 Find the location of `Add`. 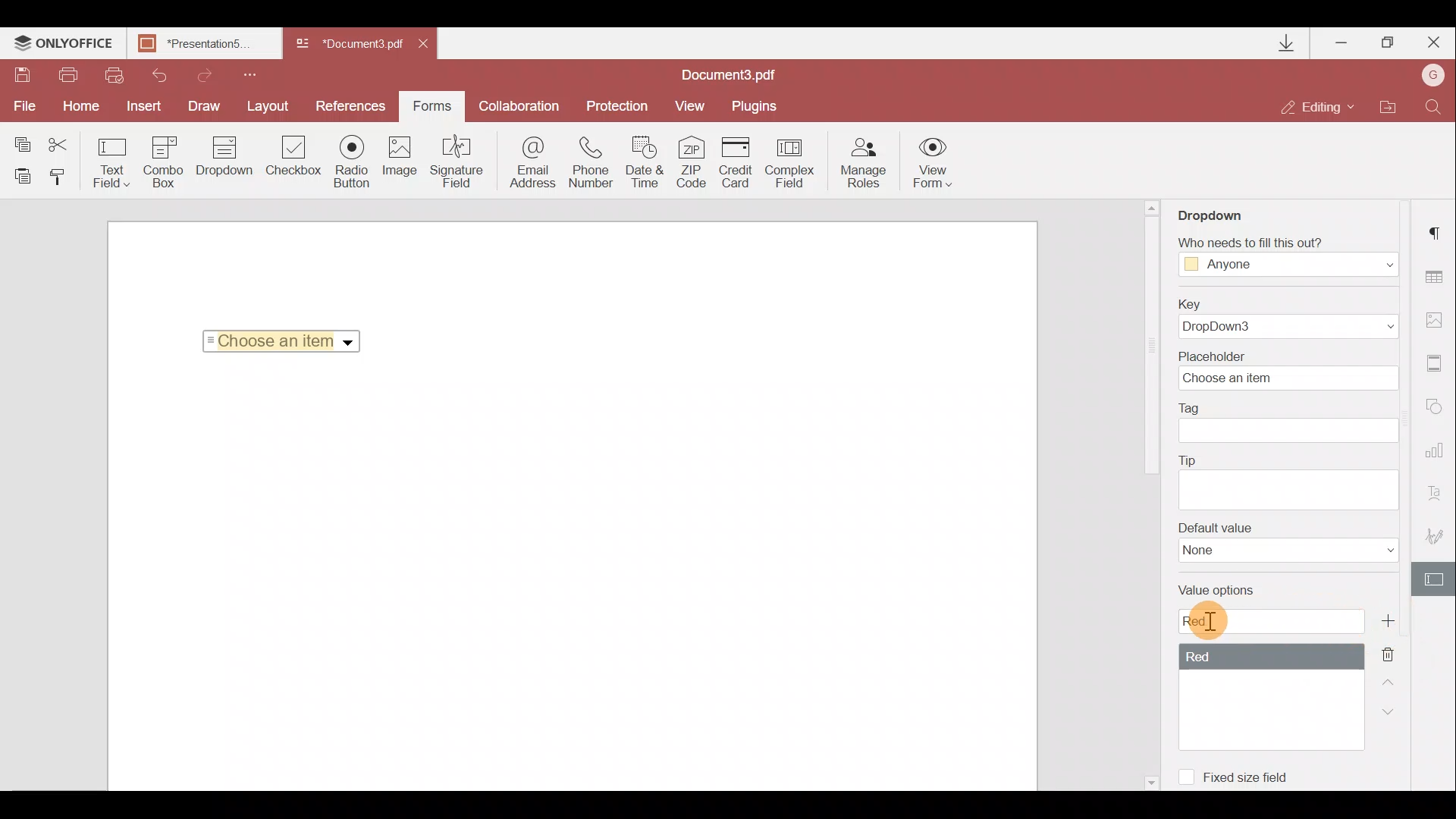

Add is located at coordinates (1387, 620).